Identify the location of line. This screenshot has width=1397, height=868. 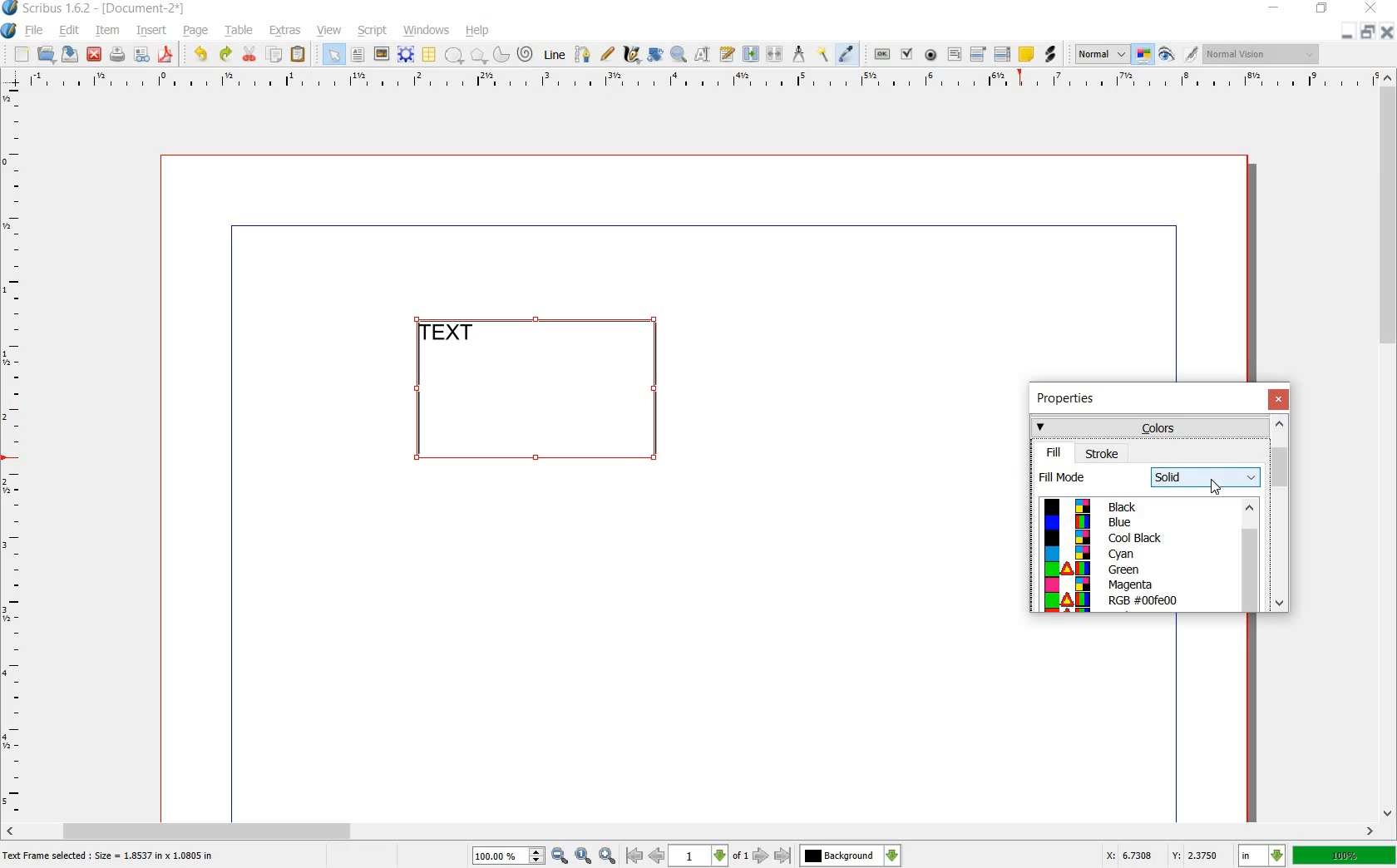
(556, 56).